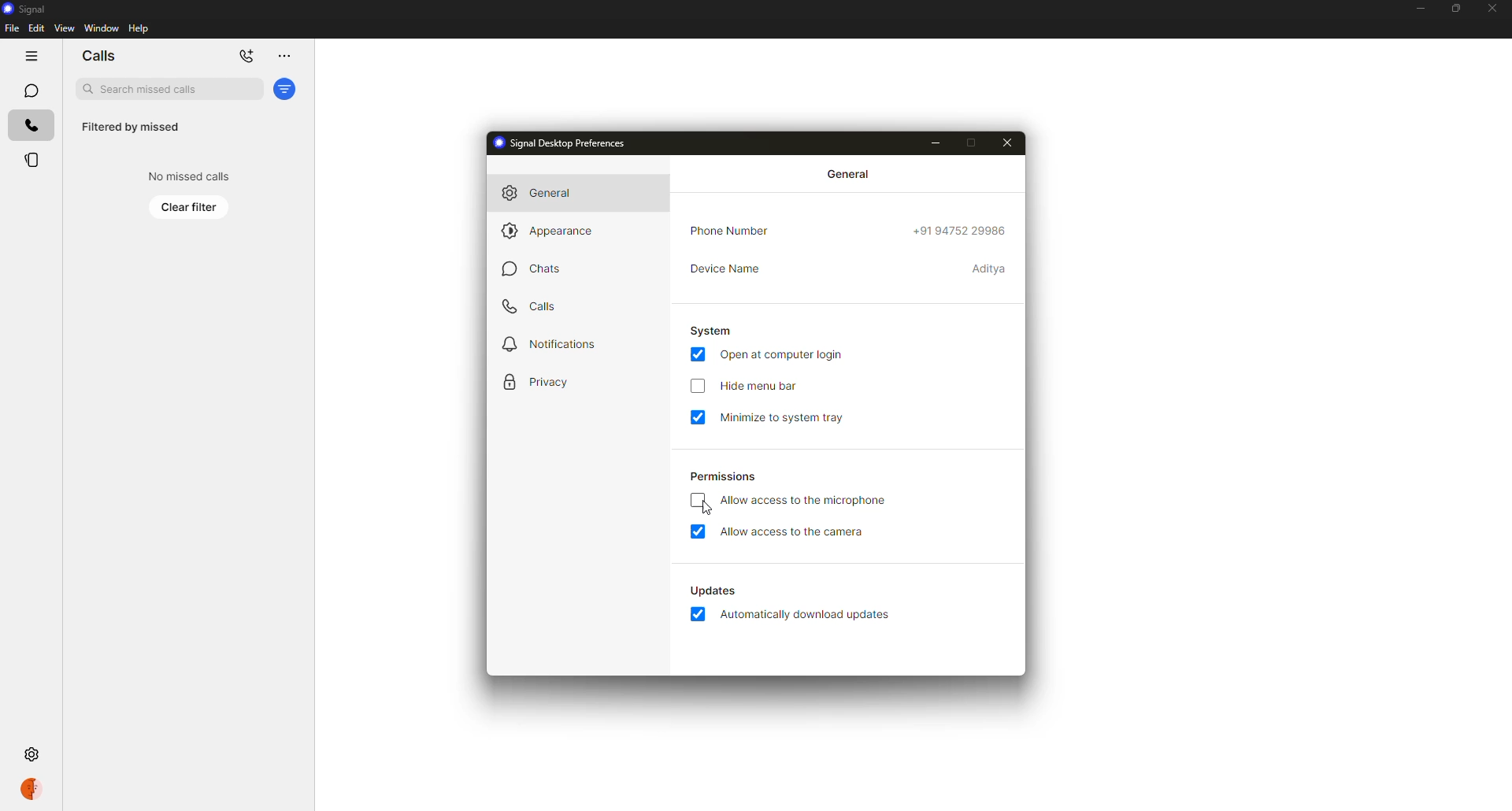 This screenshot has height=811, width=1512. Describe the element at coordinates (64, 28) in the screenshot. I see `view` at that location.